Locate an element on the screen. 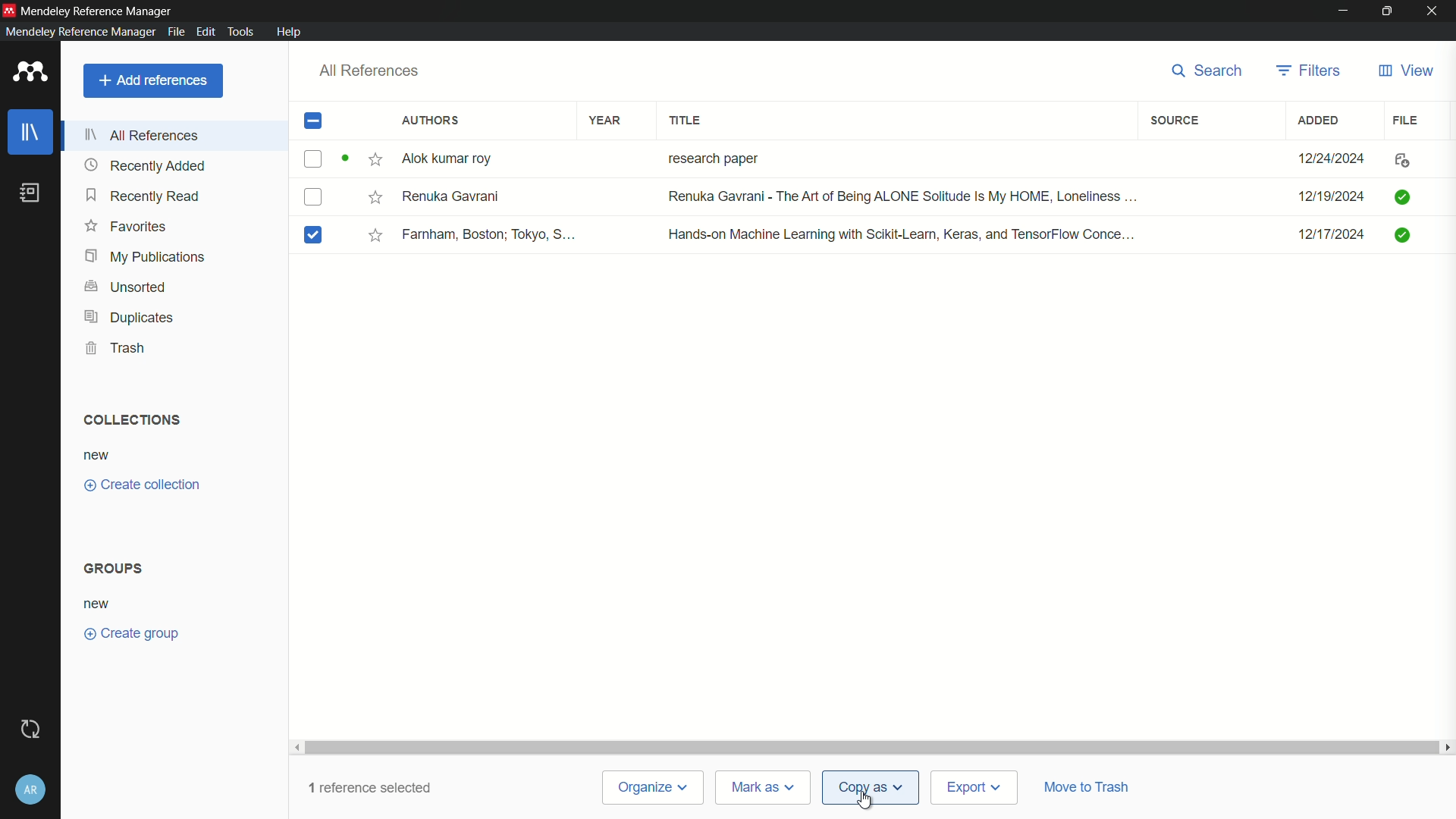 The width and height of the screenshot is (1456, 819). new is located at coordinates (99, 454).